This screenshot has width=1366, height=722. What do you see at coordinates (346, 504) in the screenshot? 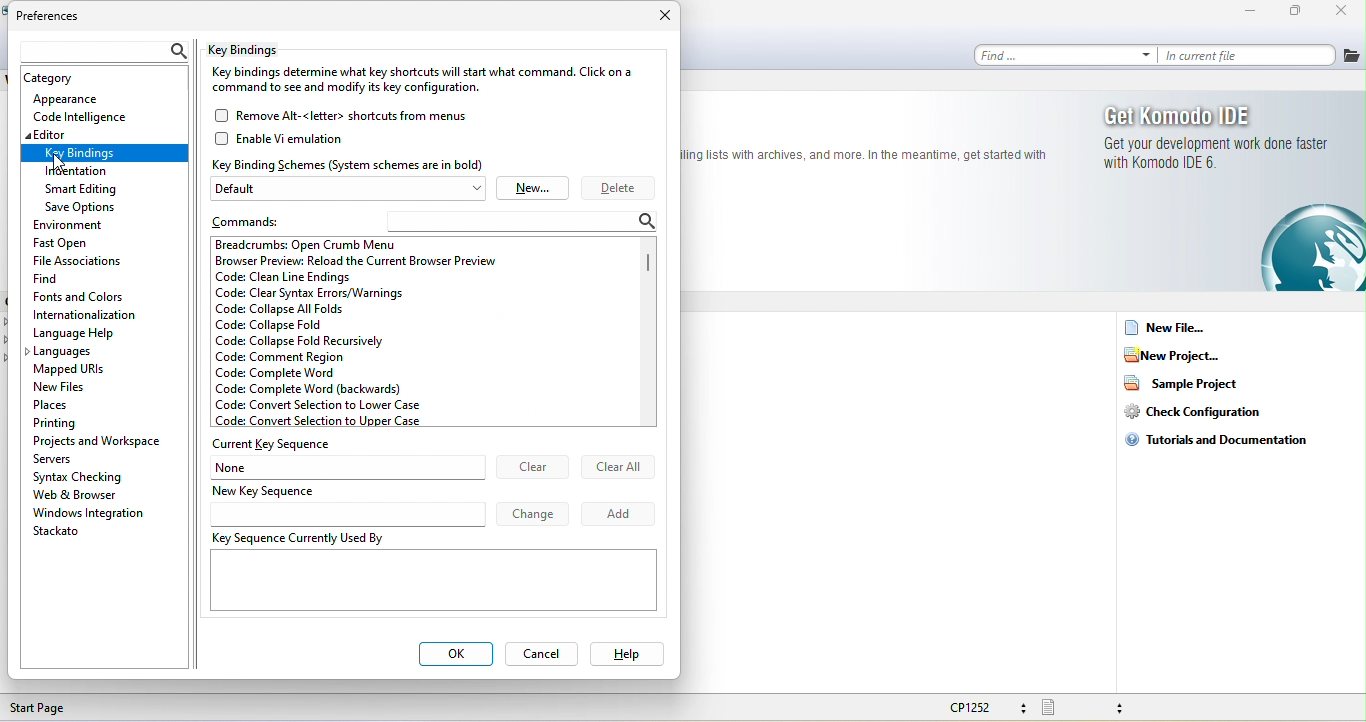
I see `new key sequence` at bounding box center [346, 504].